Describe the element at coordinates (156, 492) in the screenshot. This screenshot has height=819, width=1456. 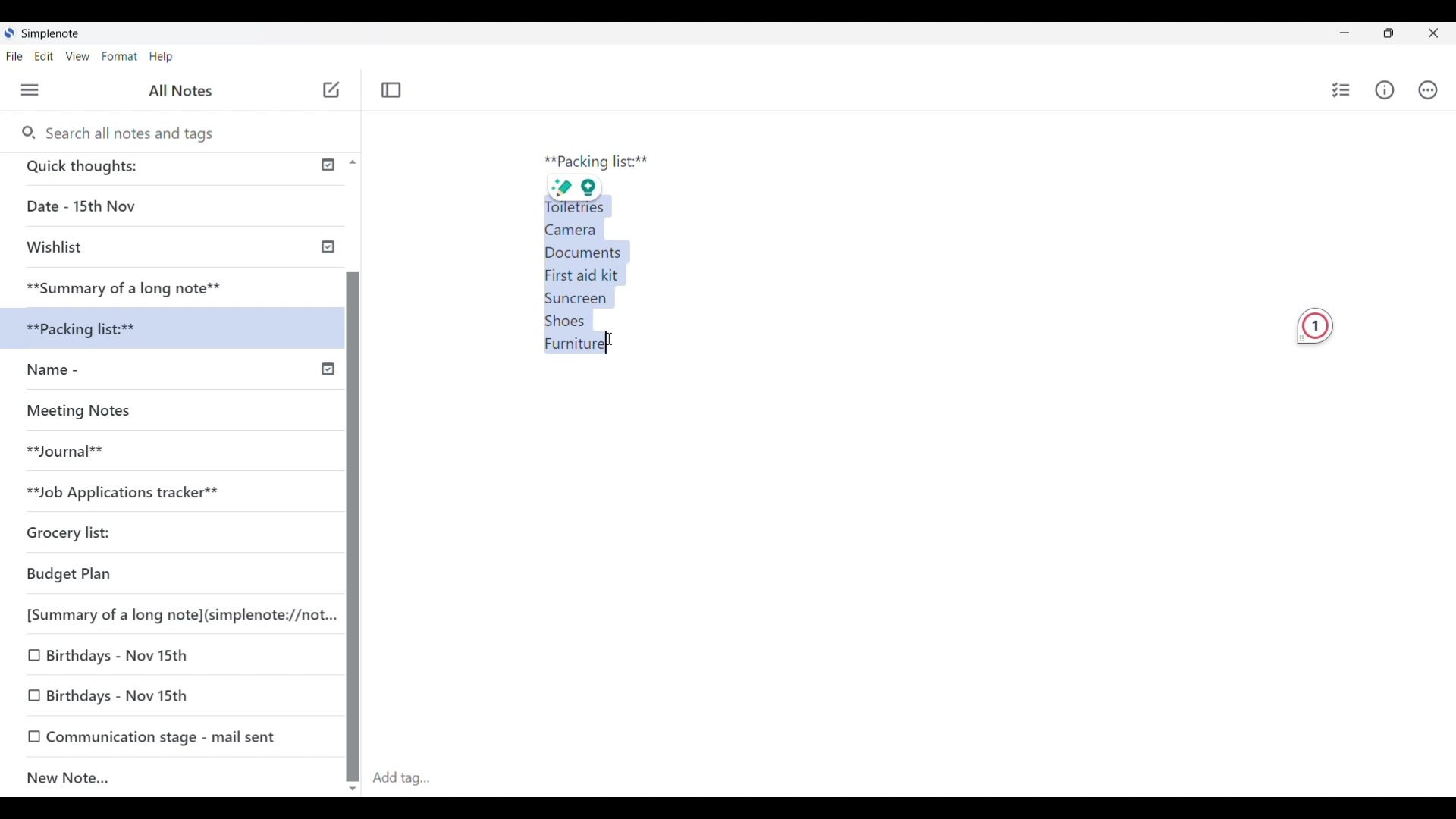
I see `**Job Applications tracker**` at that location.